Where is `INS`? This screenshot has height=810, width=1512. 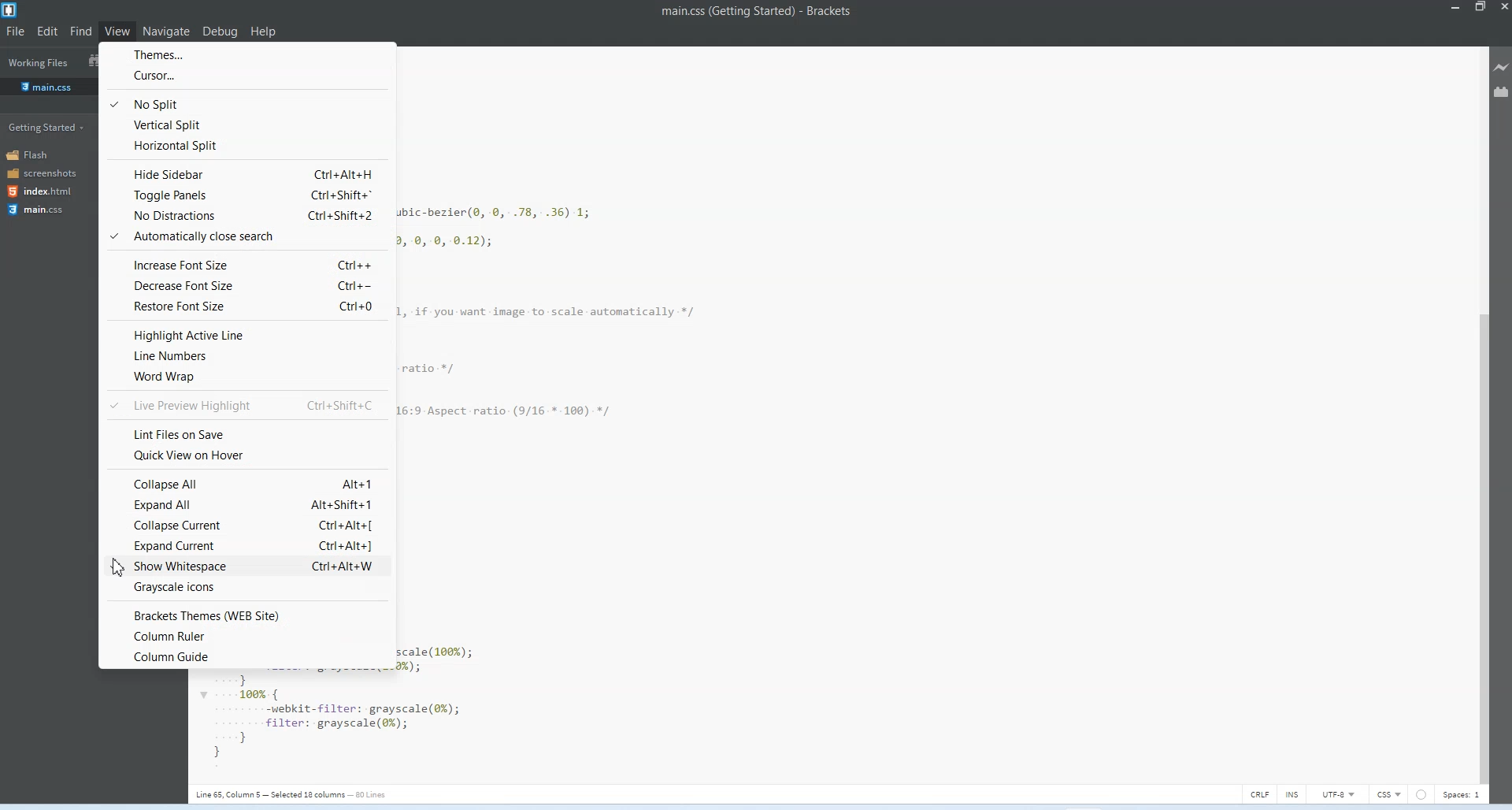 INS is located at coordinates (1294, 793).